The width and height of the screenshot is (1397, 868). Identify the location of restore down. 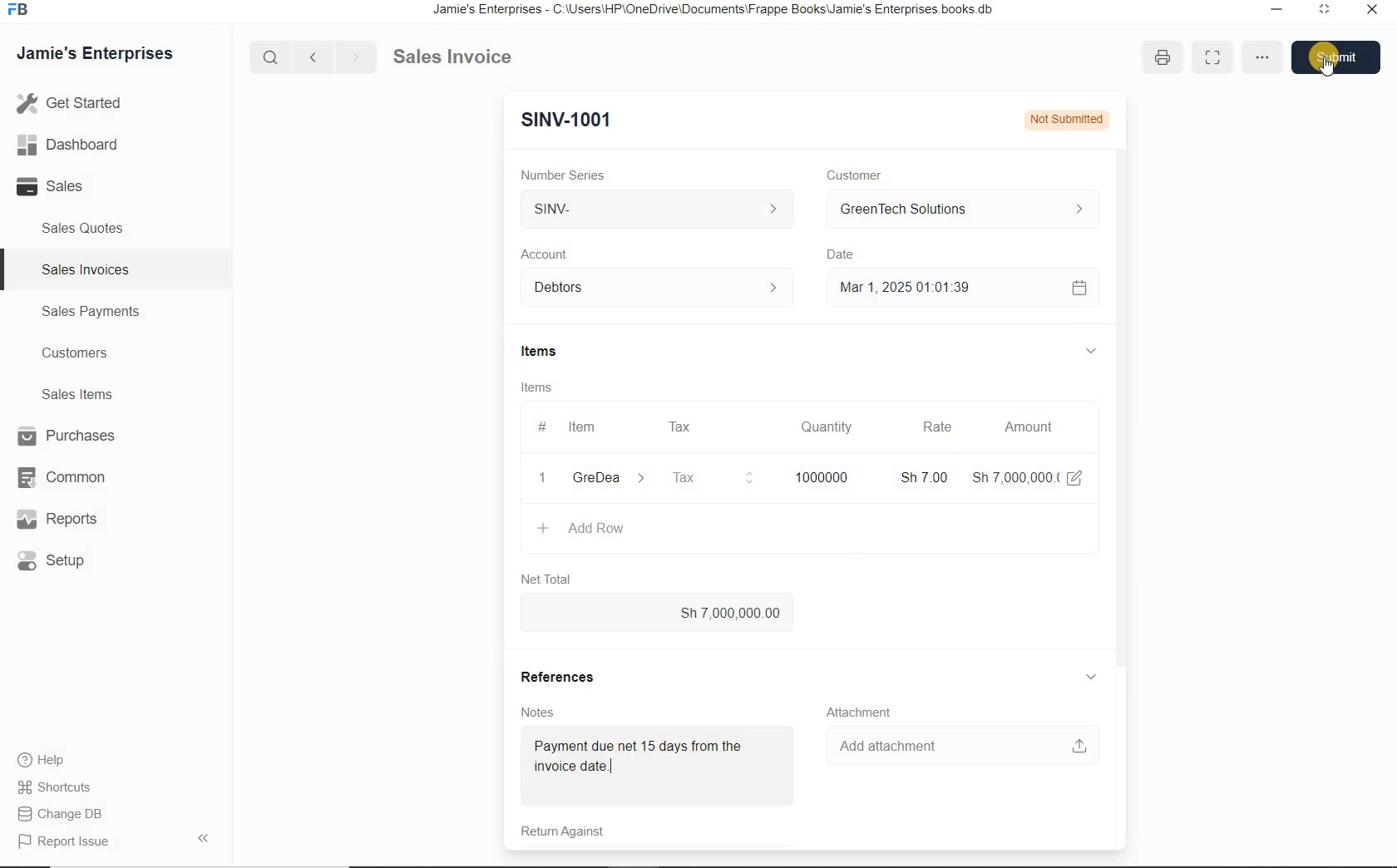
(1273, 11).